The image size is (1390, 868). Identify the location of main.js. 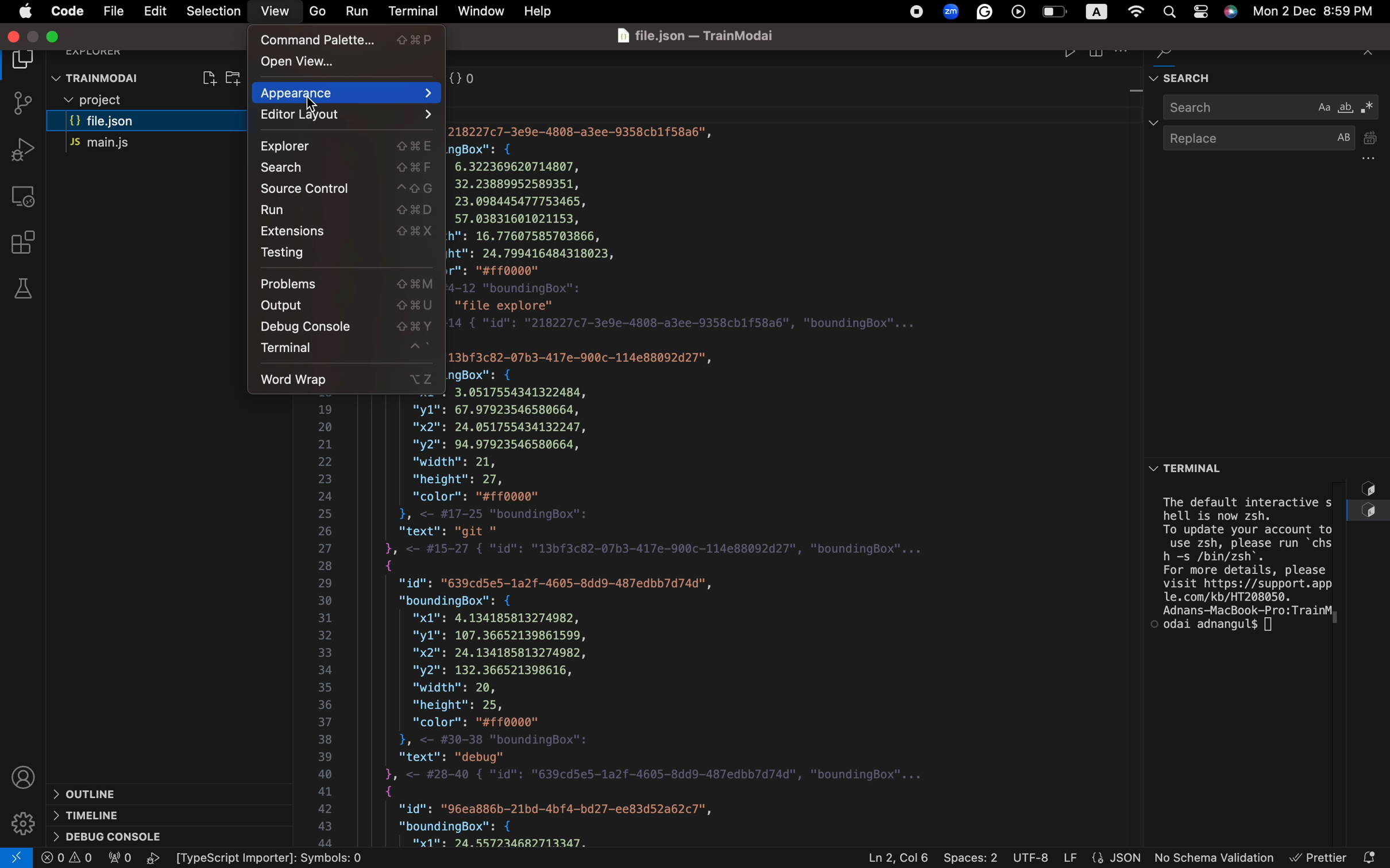
(140, 145).